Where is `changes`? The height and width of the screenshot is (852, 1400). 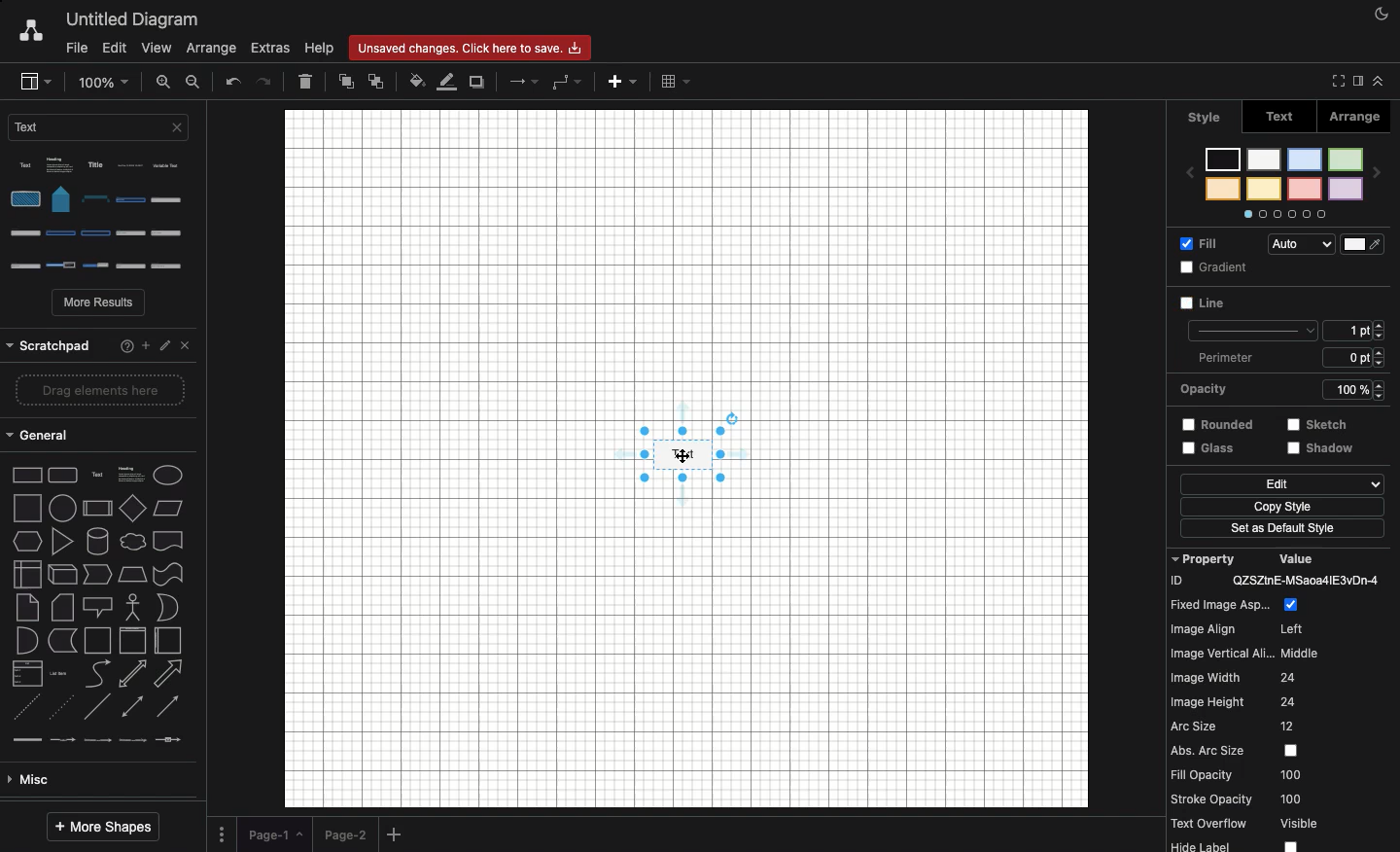 changes is located at coordinates (475, 47).